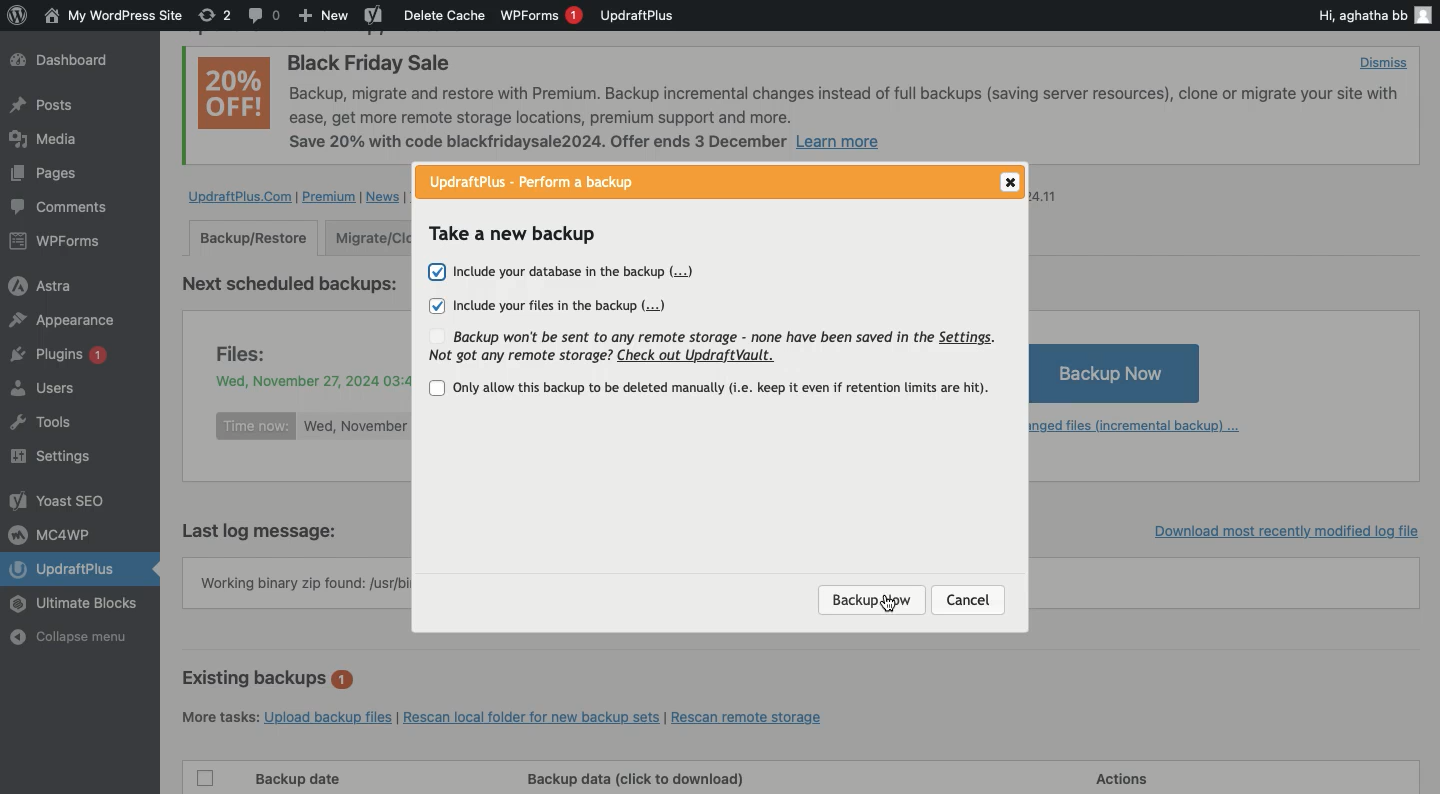  What do you see at coordinates (253, 351) in the screenshot?
I see `Files:` at bounding box center [253, 351].